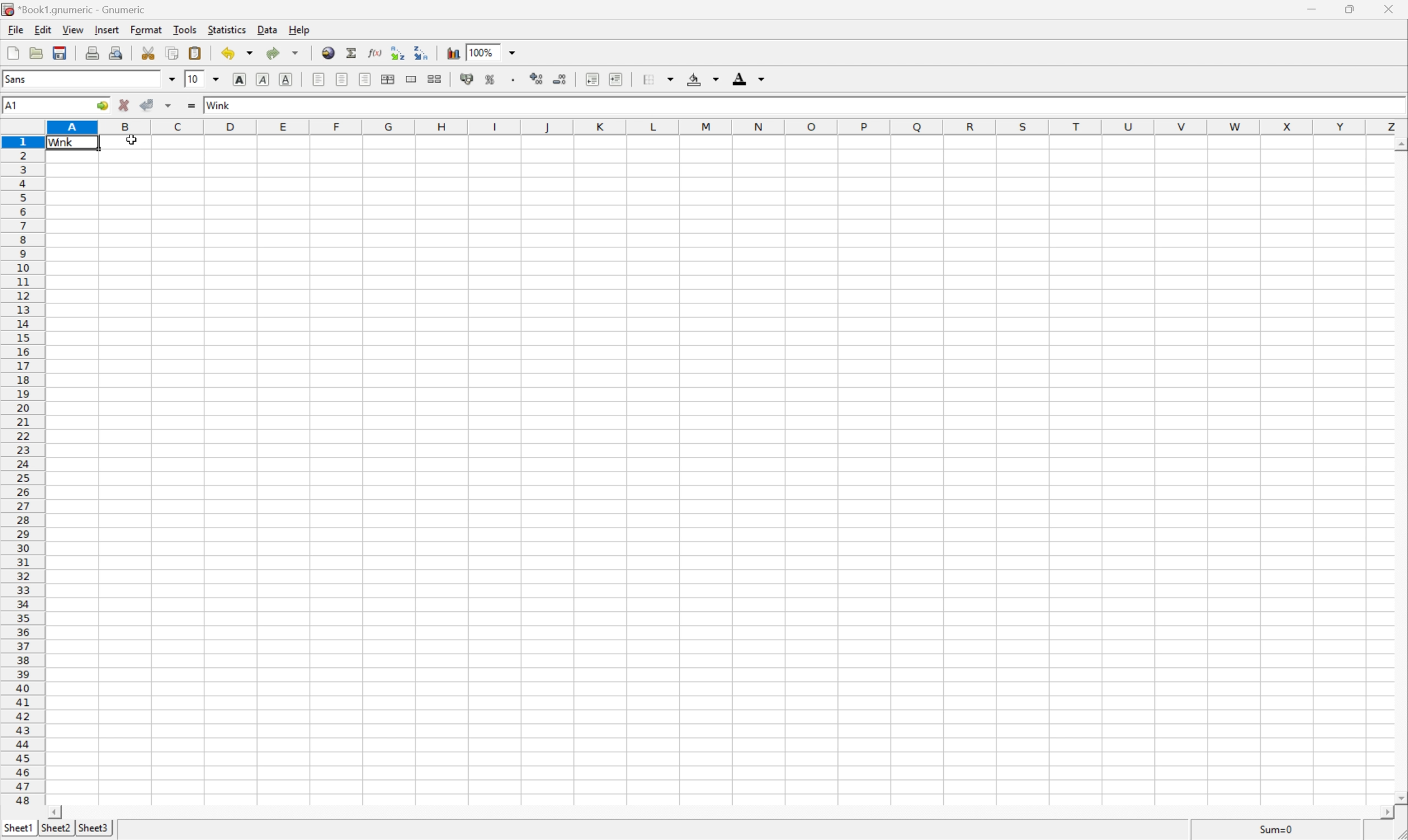 Image resolution: width=1408 pixels, height=840 pixels. What do you see at coordinates (168, 107) in the screenshot?
I see `accept changes across selection` at bounding box center [168, 107].